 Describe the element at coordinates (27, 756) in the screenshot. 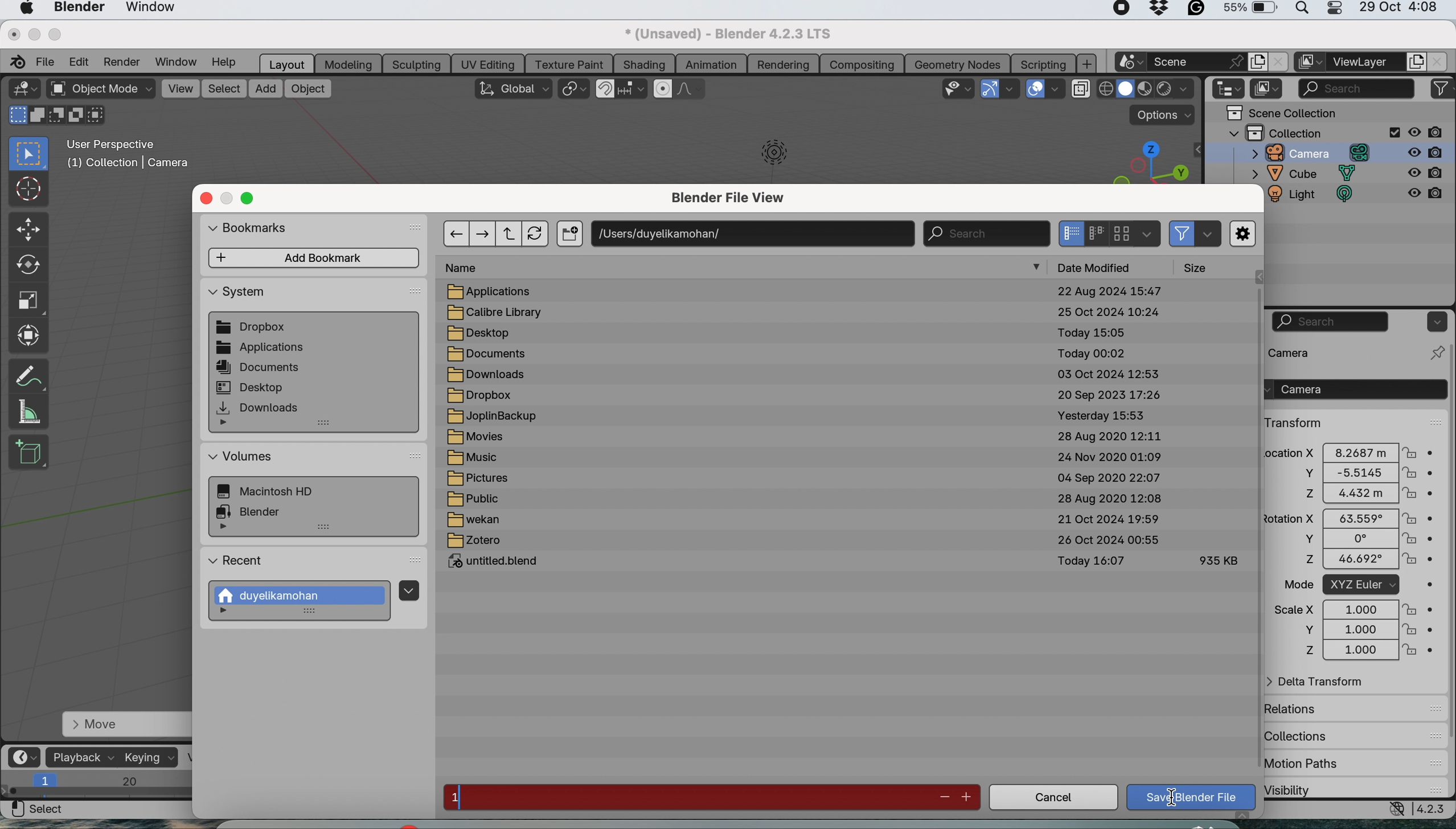

I see `editor type` at that location.